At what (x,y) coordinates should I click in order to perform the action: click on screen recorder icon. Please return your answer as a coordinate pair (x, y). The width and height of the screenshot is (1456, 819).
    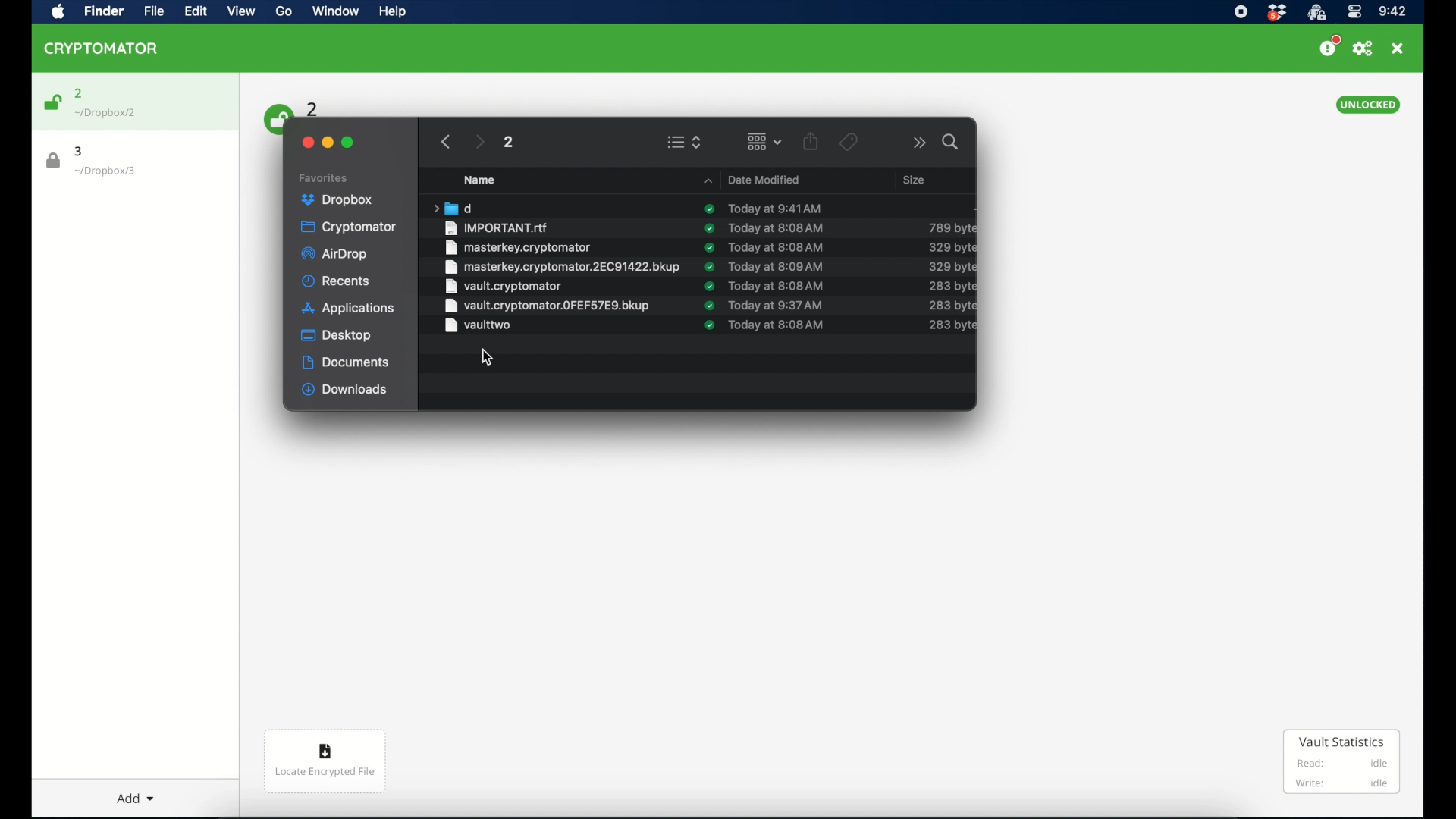
    Looking at the image, I should click on (1240, 12).